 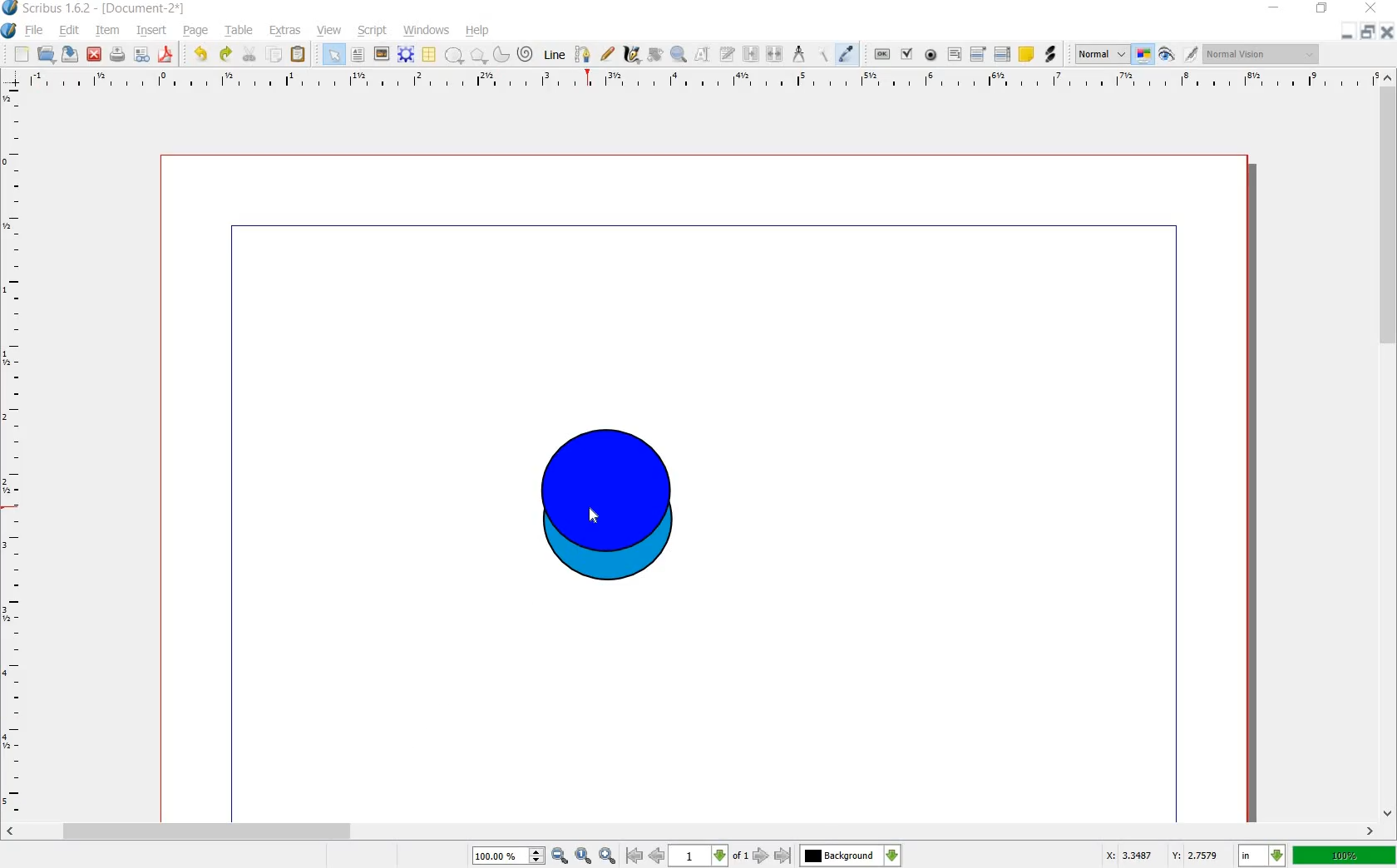 What do you see at coordinates (955, 53) in the screenshot?
I see `pdf text fied` at bounding box center [955, 53].